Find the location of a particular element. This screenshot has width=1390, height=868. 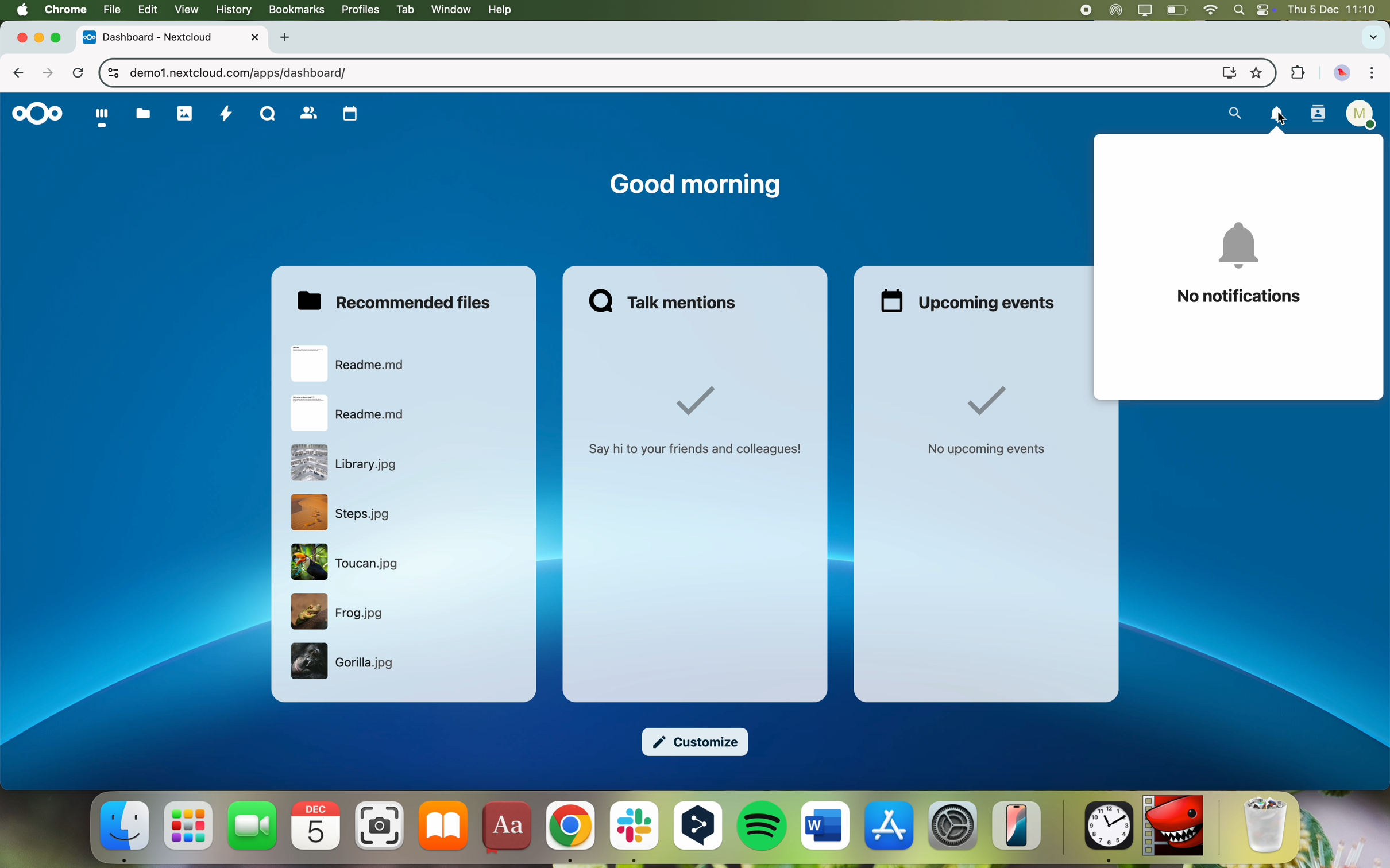

activity is located at coordinates (226, 115).